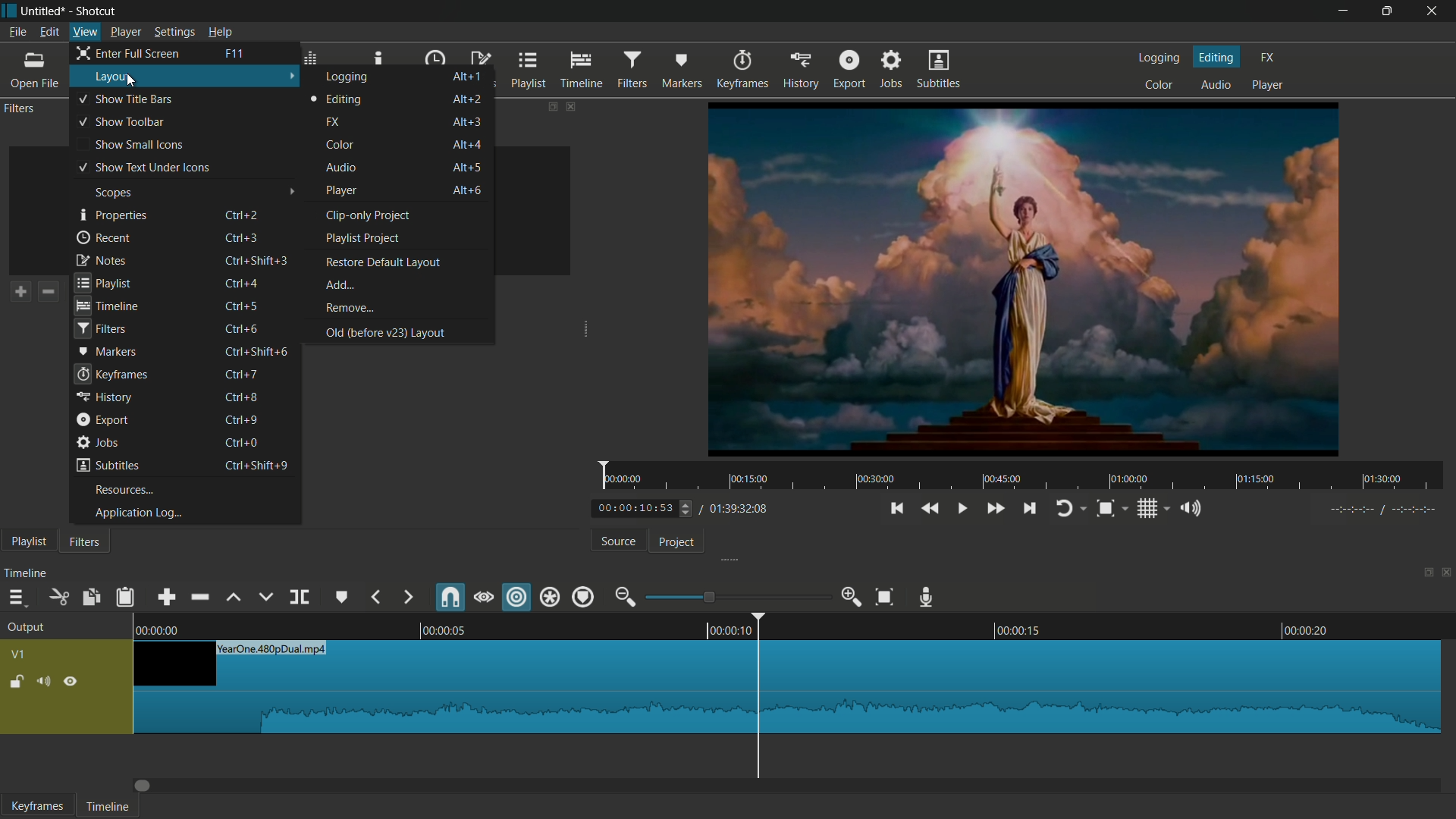  What do you see at coordinates (113, 215) in the screenshot?
I see `properties` at bounding box center [113, 215].